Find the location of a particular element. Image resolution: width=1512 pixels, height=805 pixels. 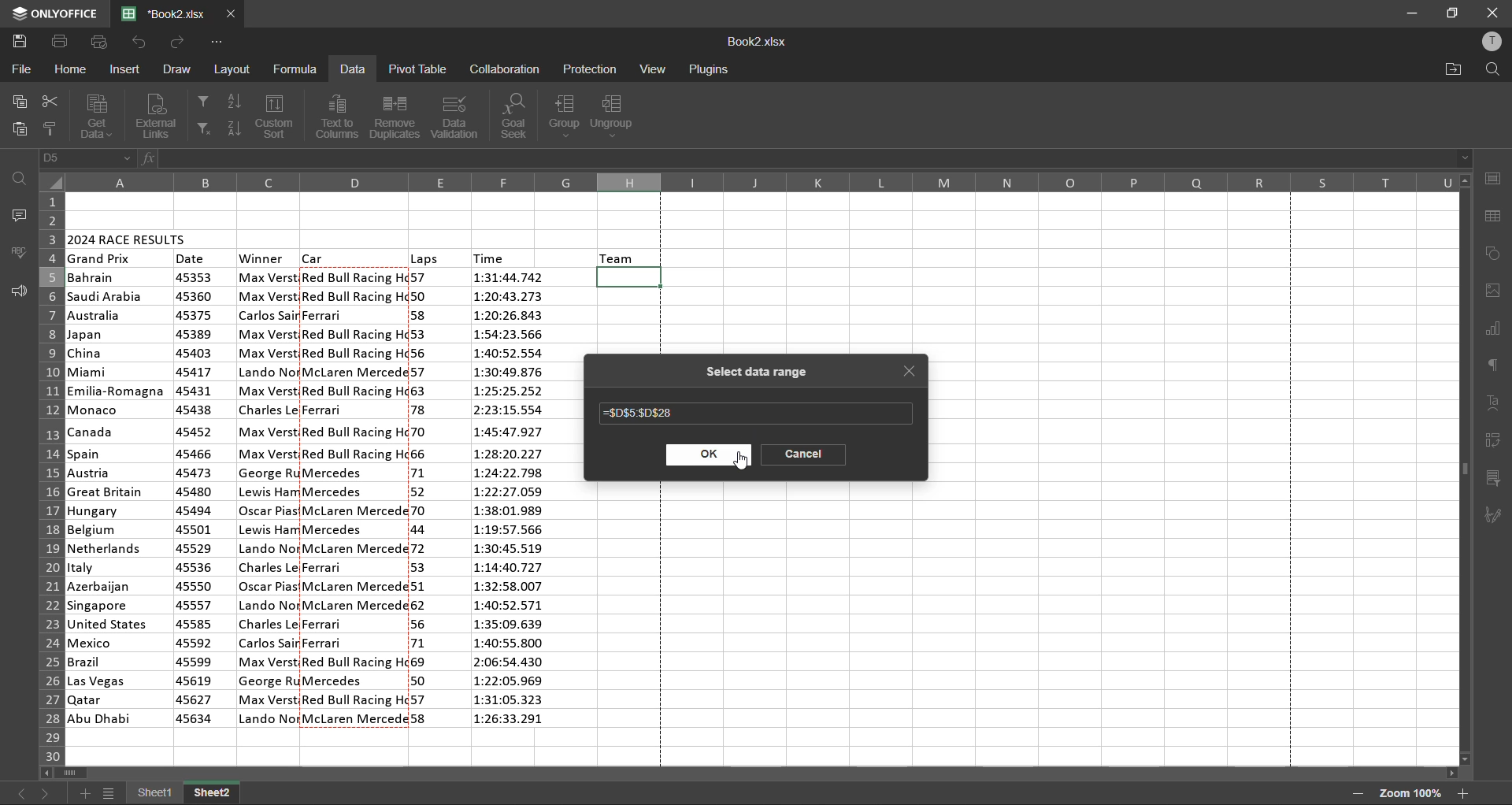

slicer is located at coordinates (1495, 480).